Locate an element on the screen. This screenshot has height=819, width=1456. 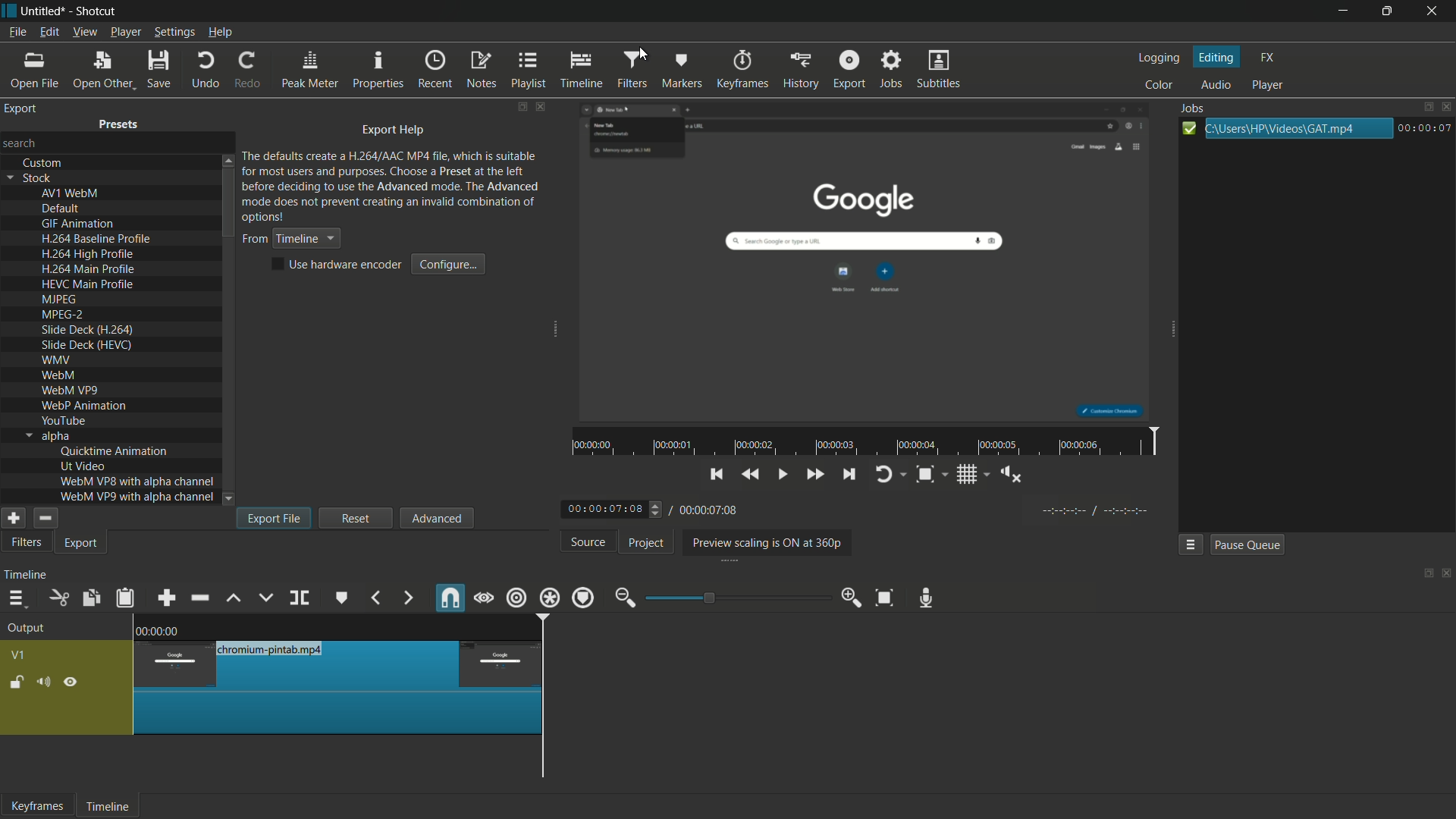
AV1 WebM is located at coordinates (72, 193).